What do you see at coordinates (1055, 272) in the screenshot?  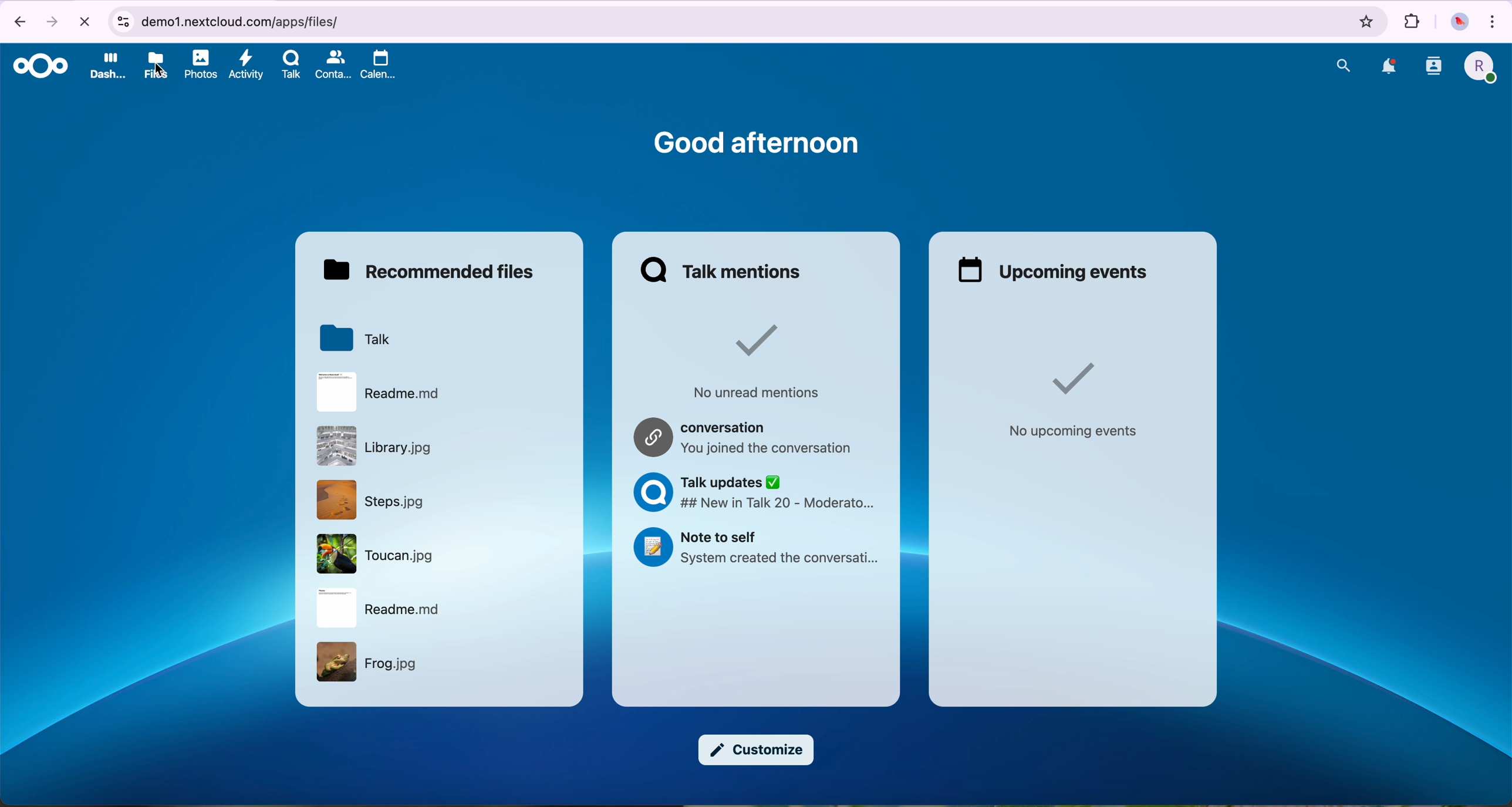 I see `upcoming events` at bounding box center [1055, 272].